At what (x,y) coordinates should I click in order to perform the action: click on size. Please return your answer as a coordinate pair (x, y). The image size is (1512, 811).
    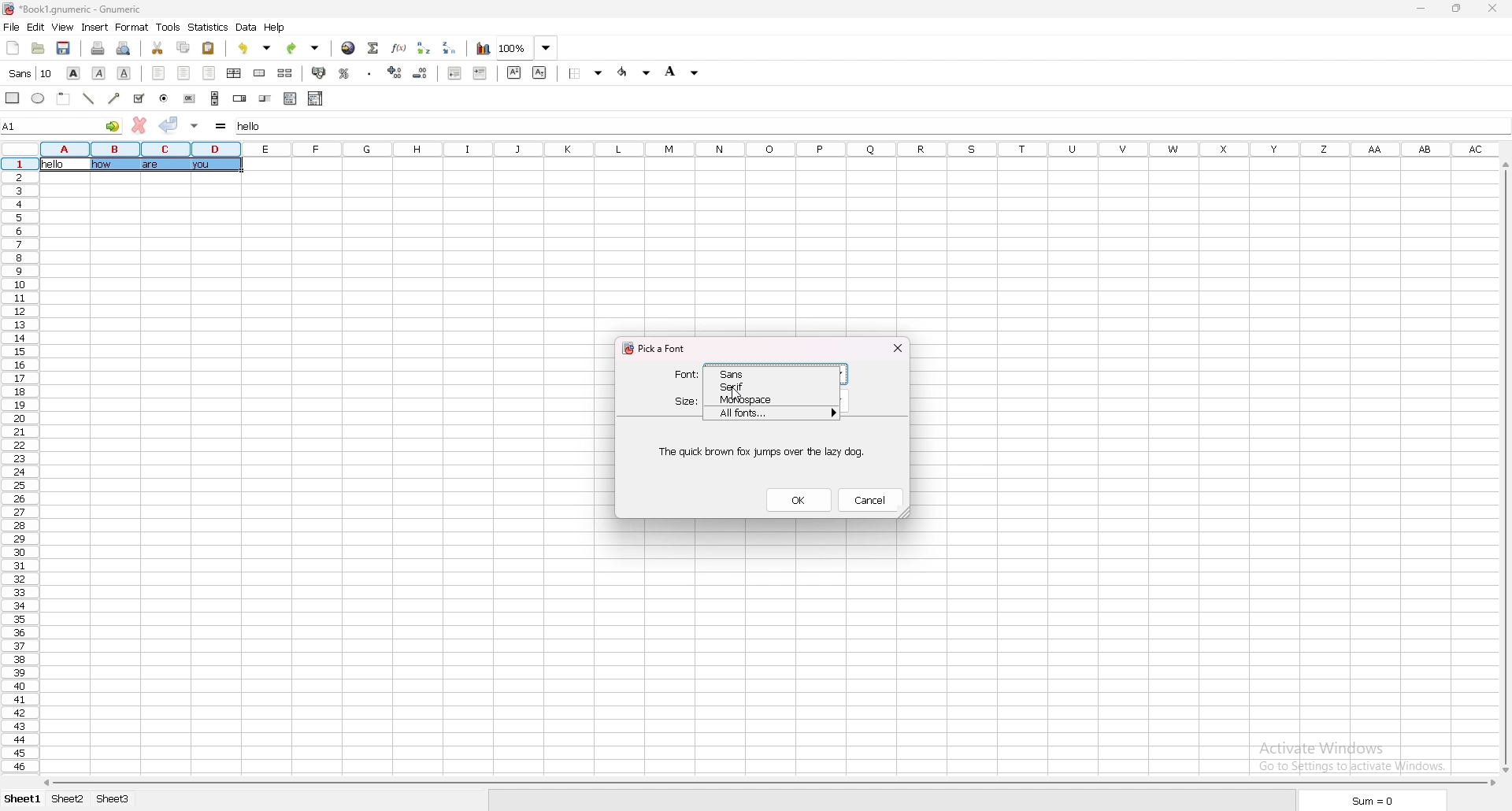
    Looking at the image, I should click on (686, 402).